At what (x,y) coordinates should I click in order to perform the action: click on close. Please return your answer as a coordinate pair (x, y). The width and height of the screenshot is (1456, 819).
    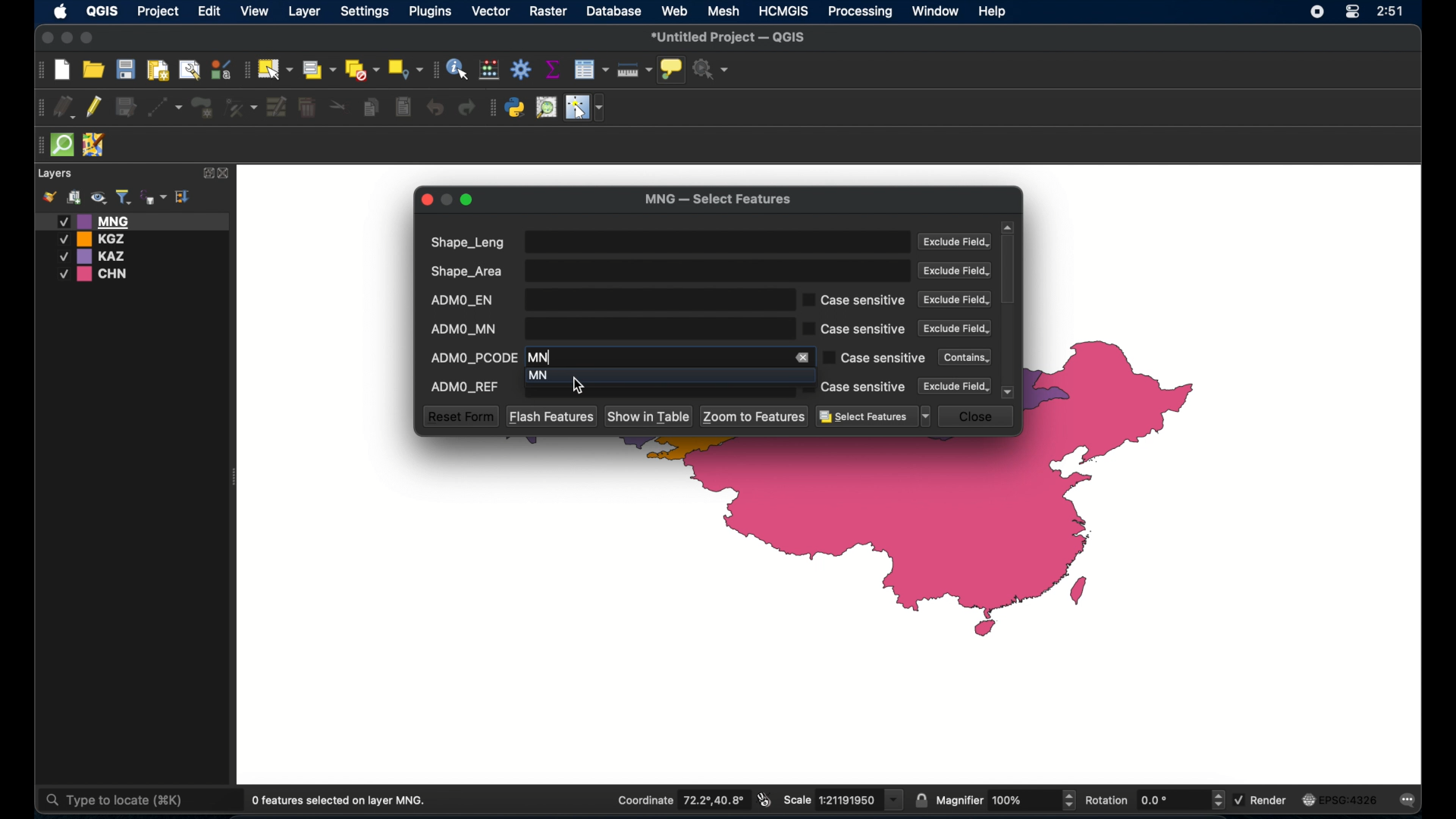
    Looking at the image, I should click on (45, 37).